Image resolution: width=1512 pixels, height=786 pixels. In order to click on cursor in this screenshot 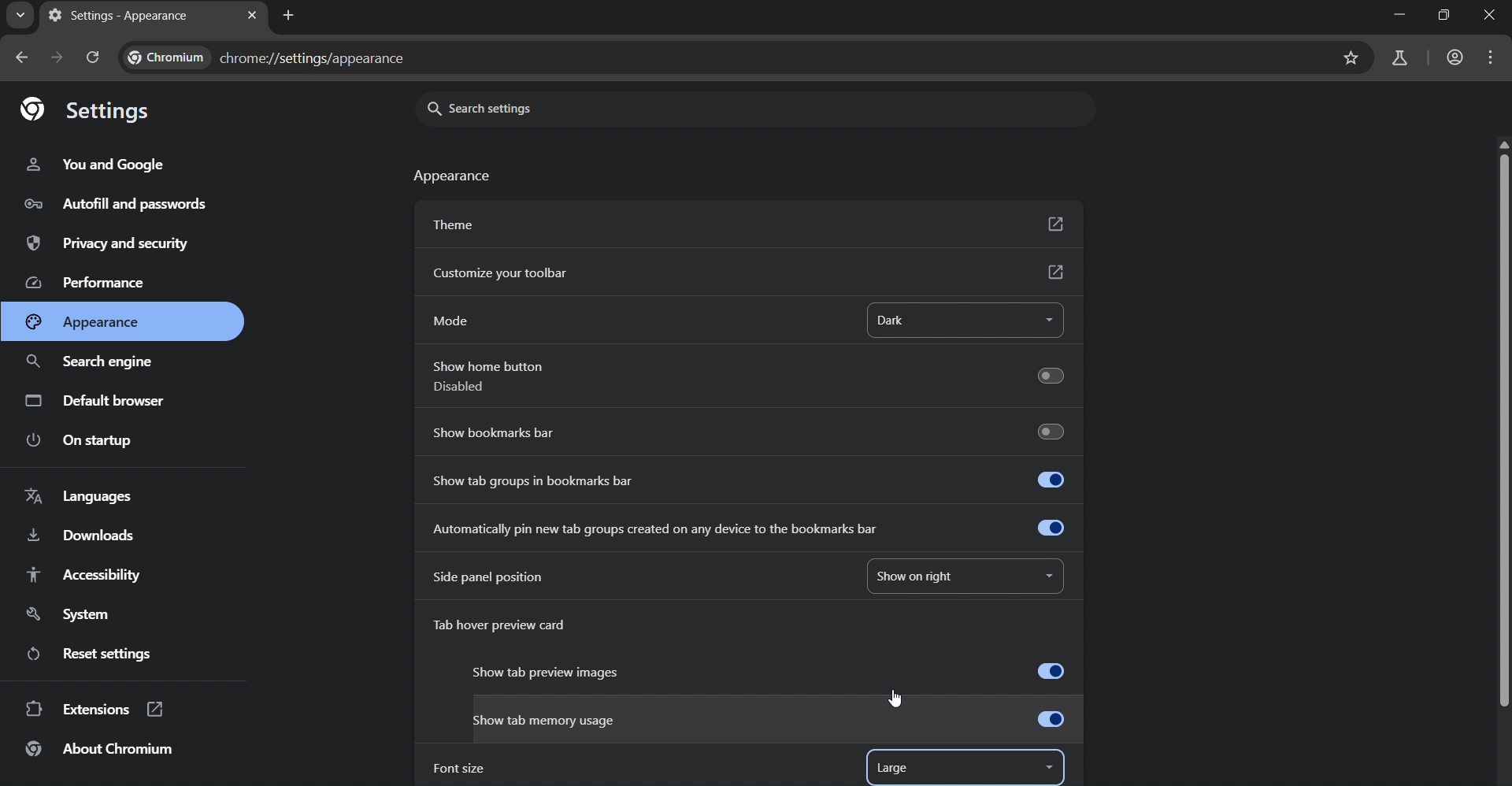, I will do `click(896, 699)`.